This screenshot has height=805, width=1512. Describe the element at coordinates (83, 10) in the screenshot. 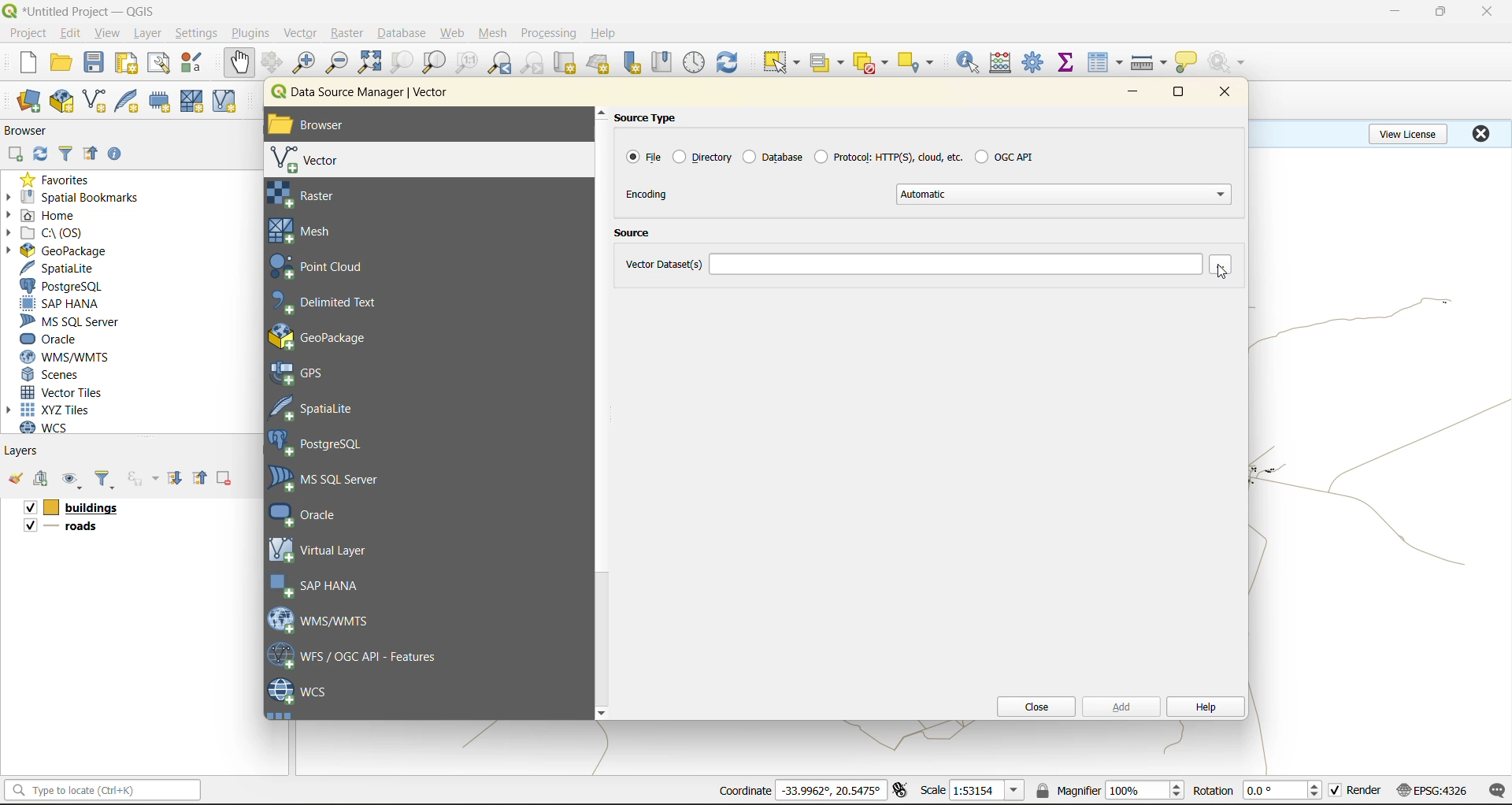

I see `file name and app name` at that location.